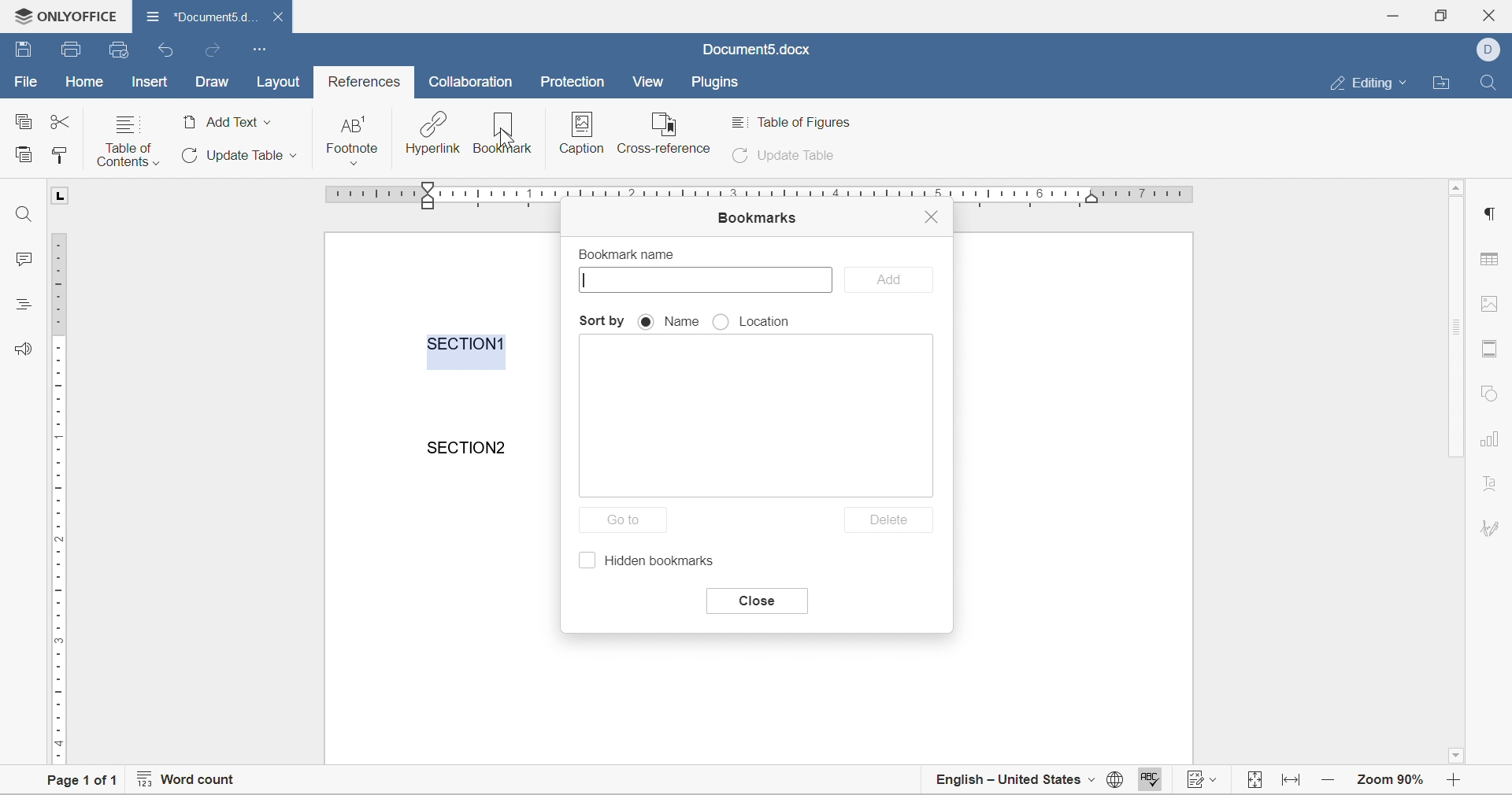 This screenshot has height=795, width=1512. What do you see at coordinates (624, 253) in the screenshot?
I see `bookmark name` at bounding box center [624, 253].